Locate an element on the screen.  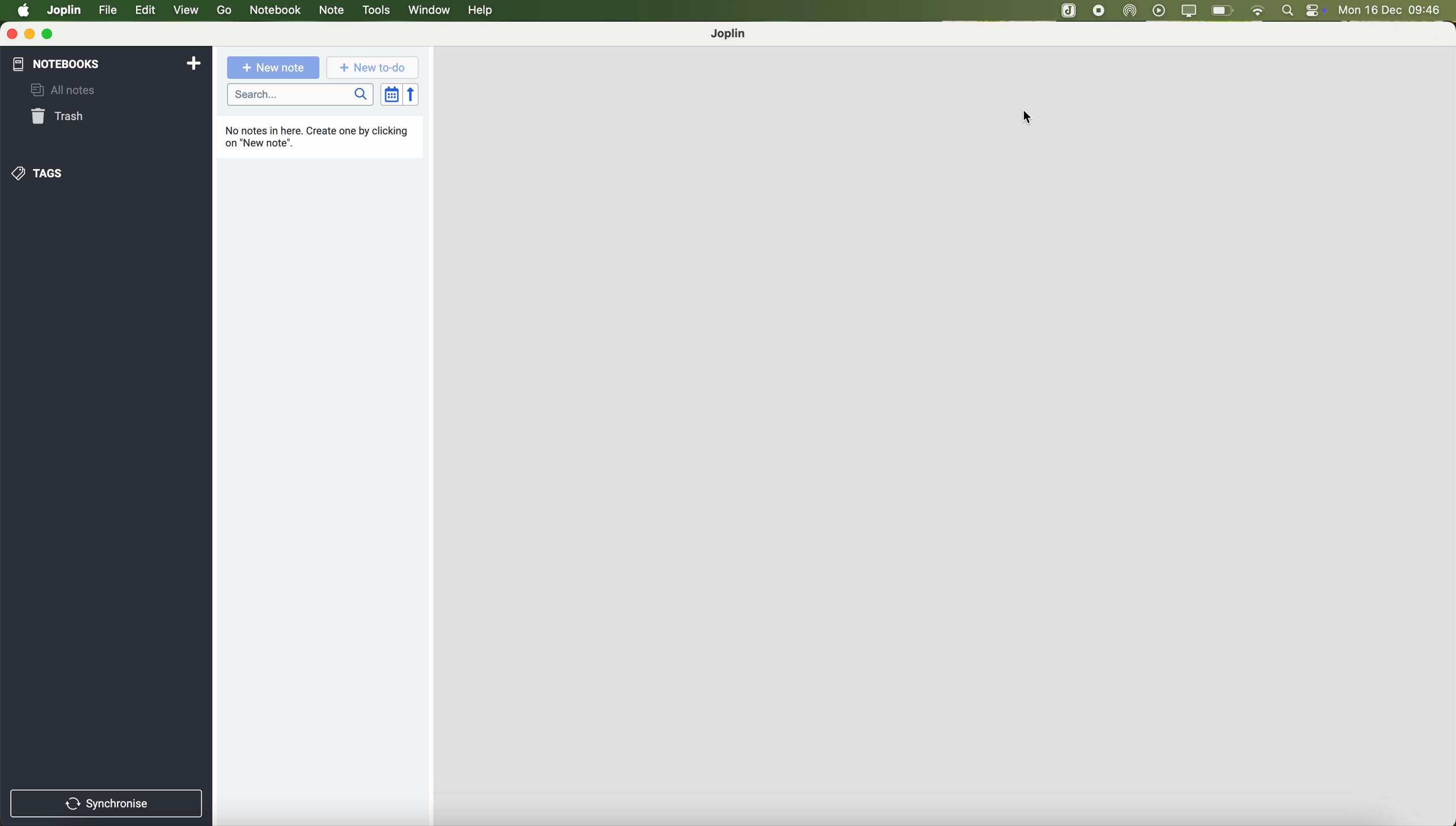
synchronise is located at coordinates (107, 802).